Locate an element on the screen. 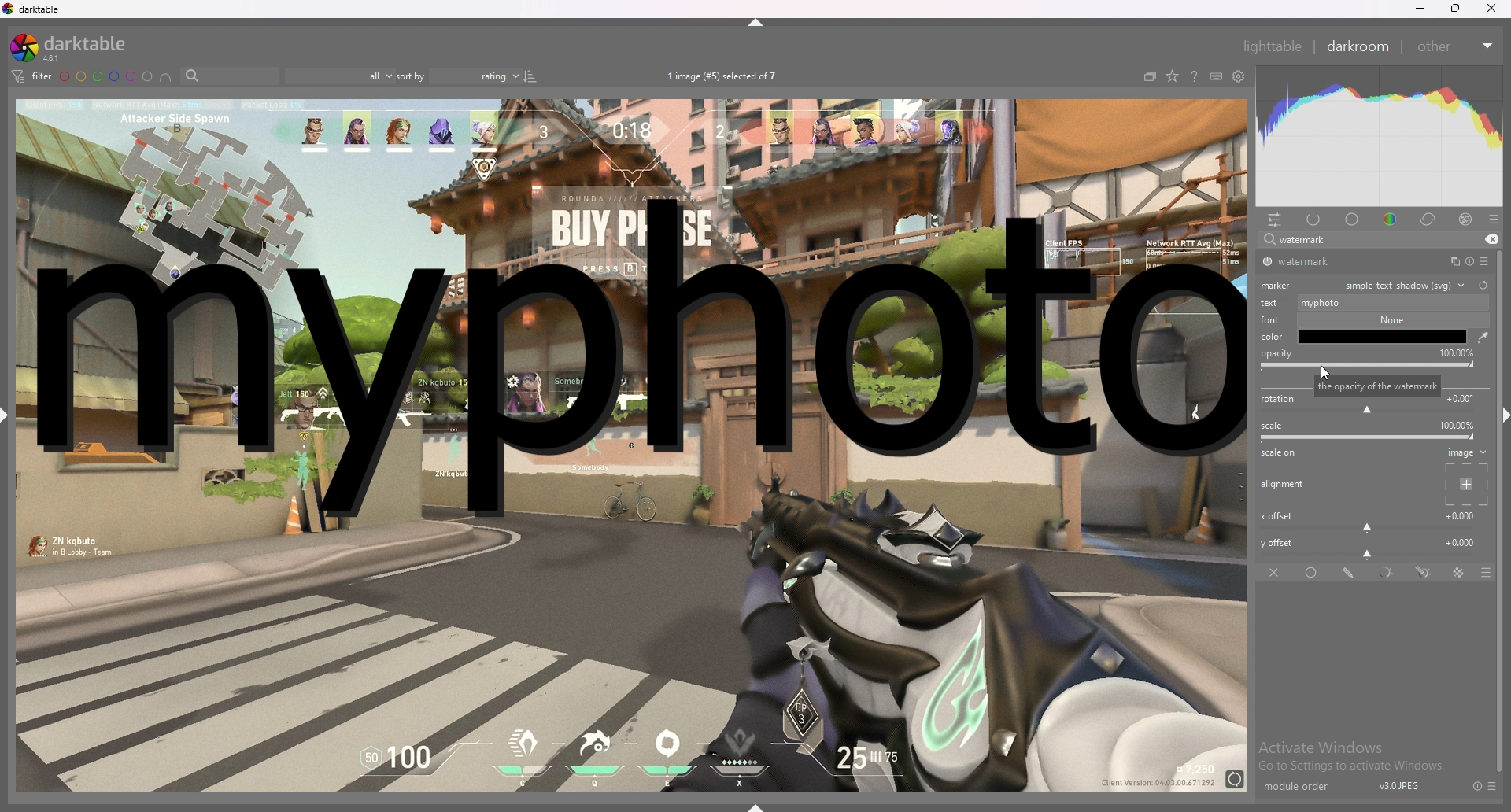  images selected is located at coordinates (725, 76).